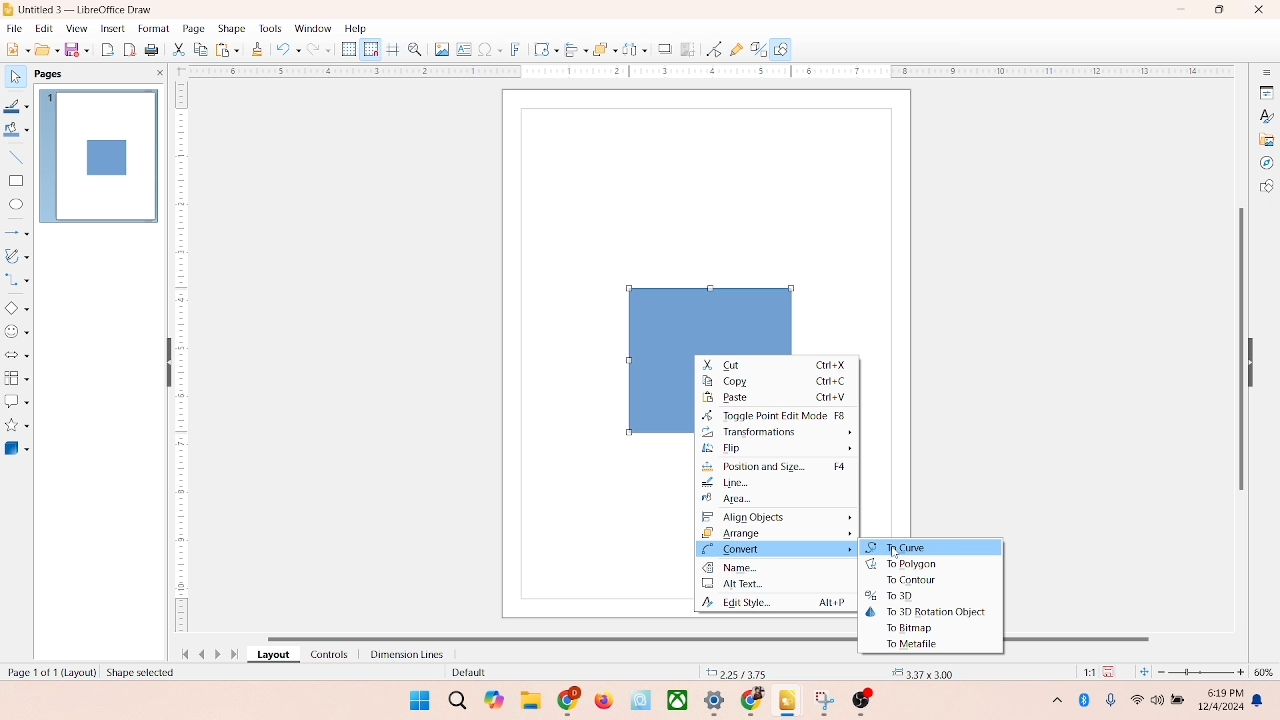 The height and width of the screenshot is (720, 1280). Describe the element at coordinates (1112, 671) in the screenshot. I see `save` at that location.